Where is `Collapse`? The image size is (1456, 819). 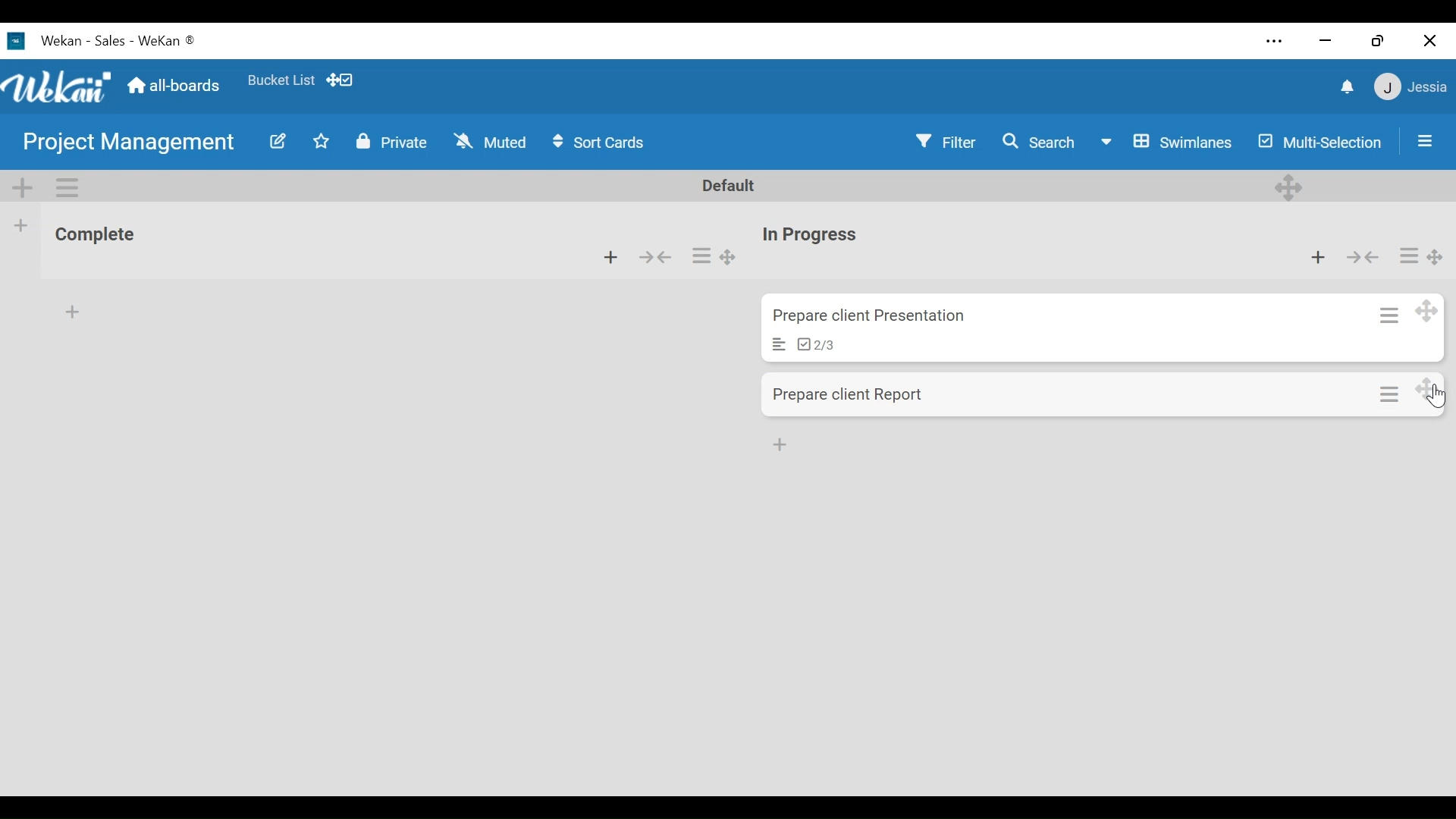
Collapse is located at coordinates (658, 258).